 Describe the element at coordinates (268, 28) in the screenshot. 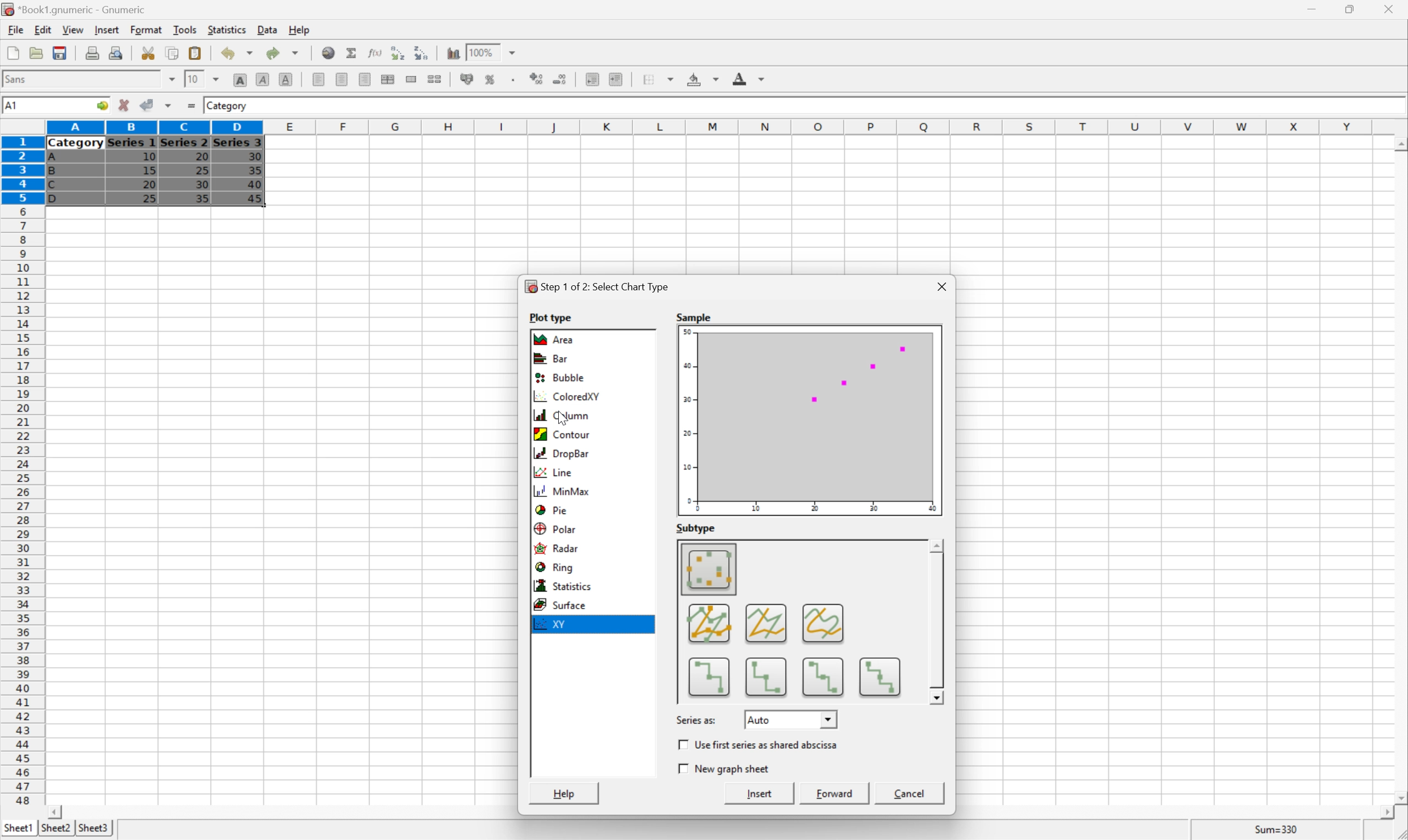

I see `Data` at that location.